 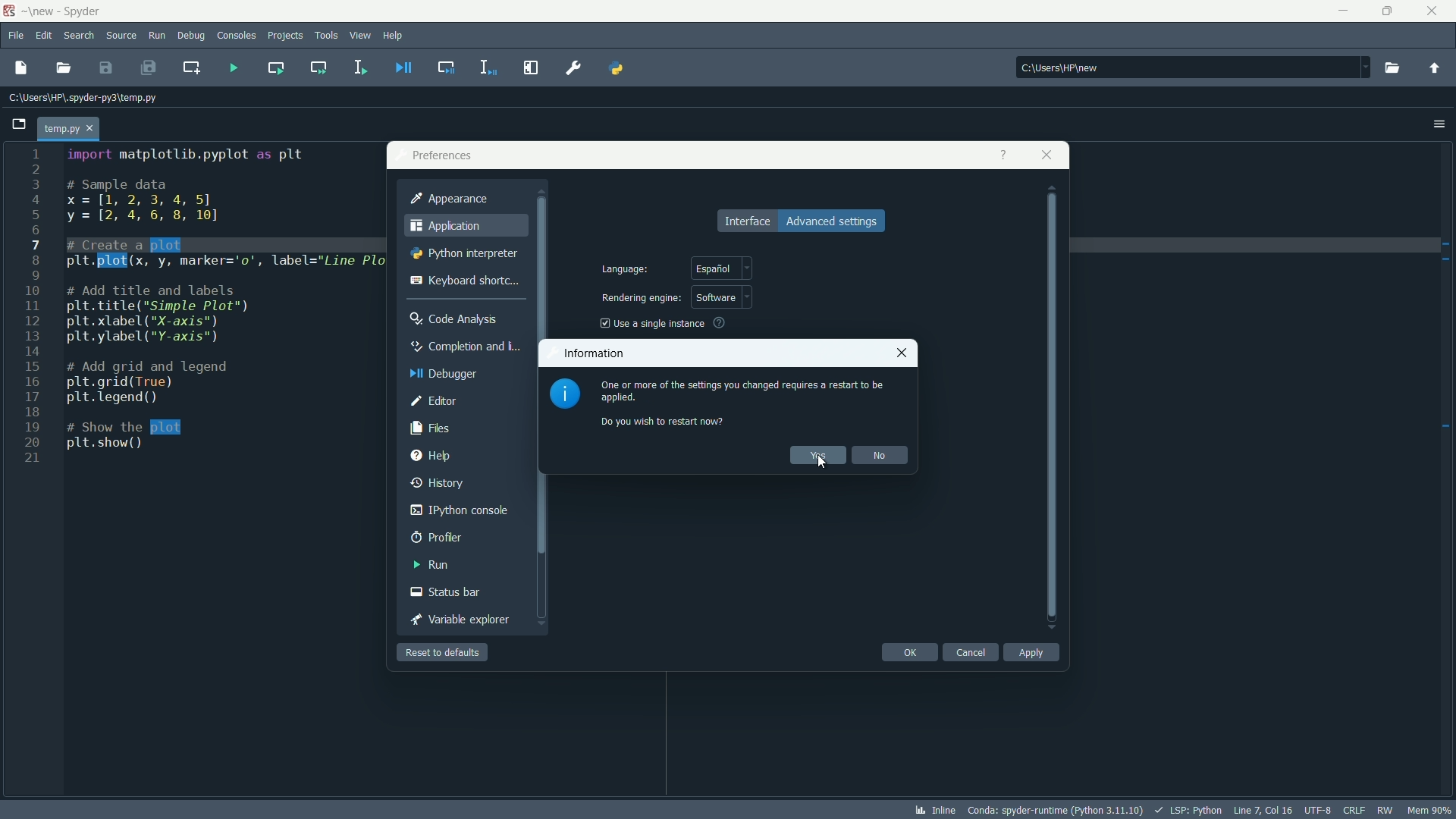 I want to click on variable explorer, so click(x=460, y=619).